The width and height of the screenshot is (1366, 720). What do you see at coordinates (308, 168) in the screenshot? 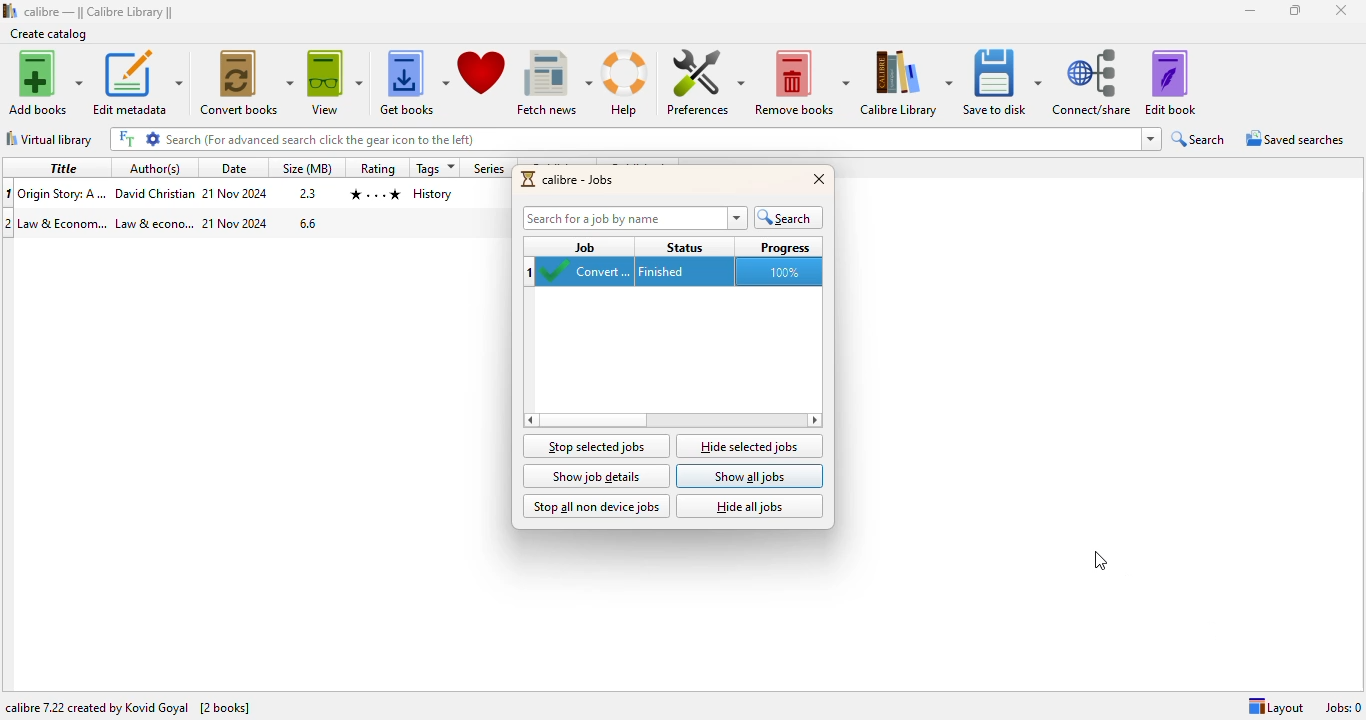
I see `size (MB)` at bounding box center [308, 168].